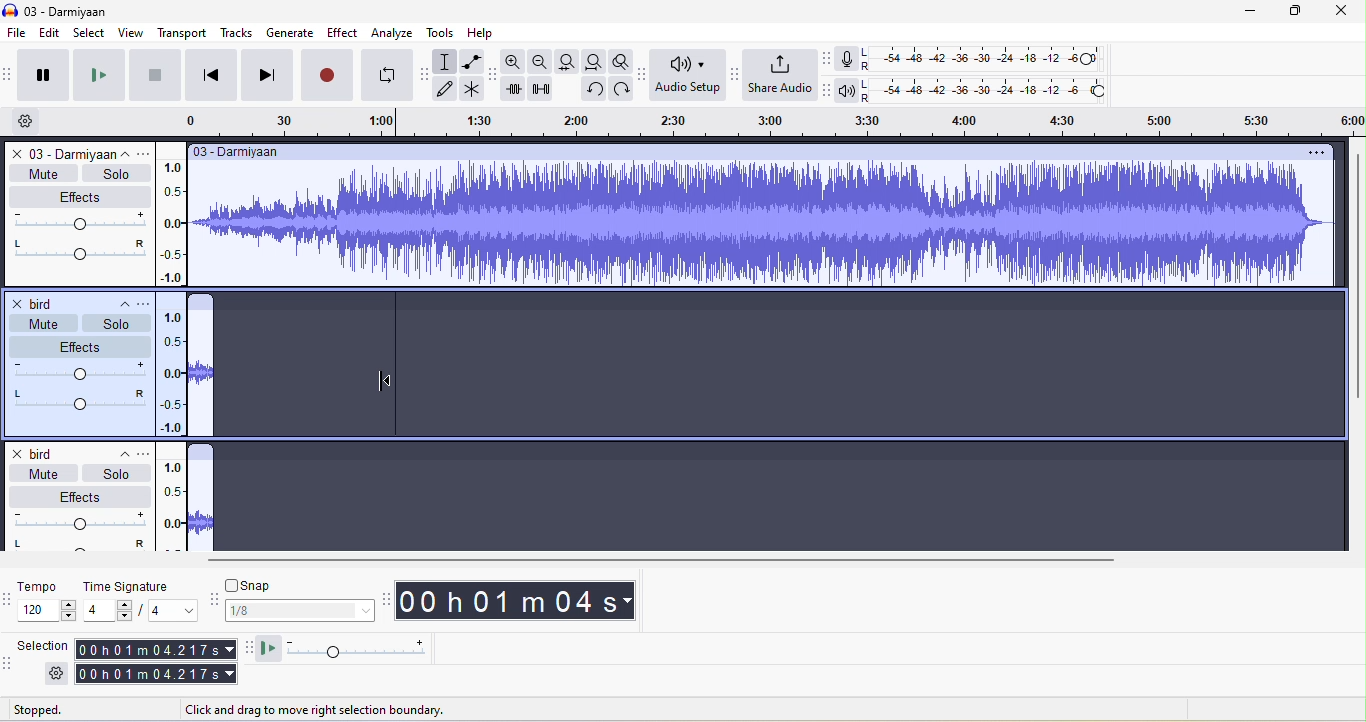 The height and width of the screenshot is (722, 1366). I want to click on trim audio outside selection, so click(518, 89).